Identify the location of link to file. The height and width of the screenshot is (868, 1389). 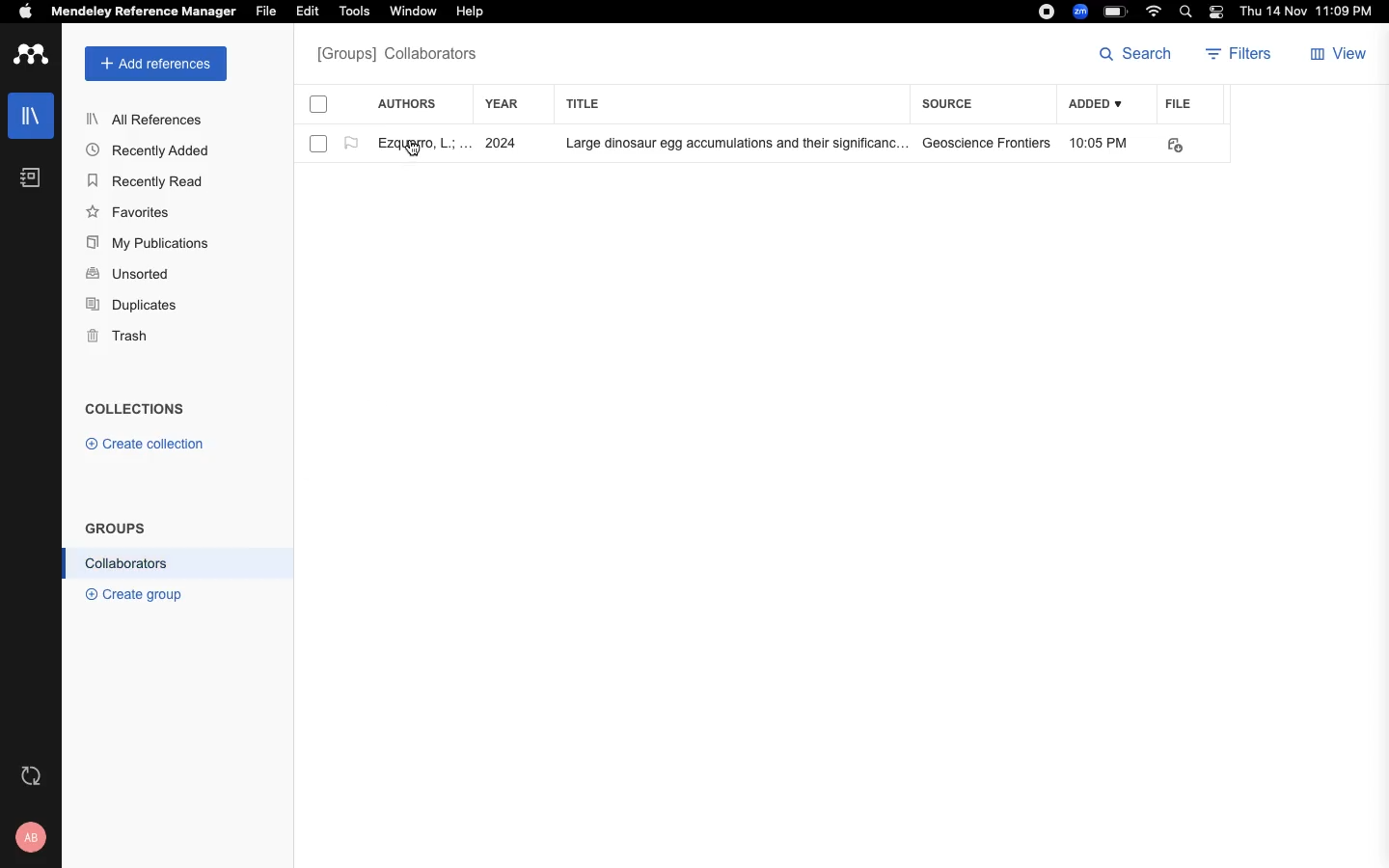
(1184, 143).